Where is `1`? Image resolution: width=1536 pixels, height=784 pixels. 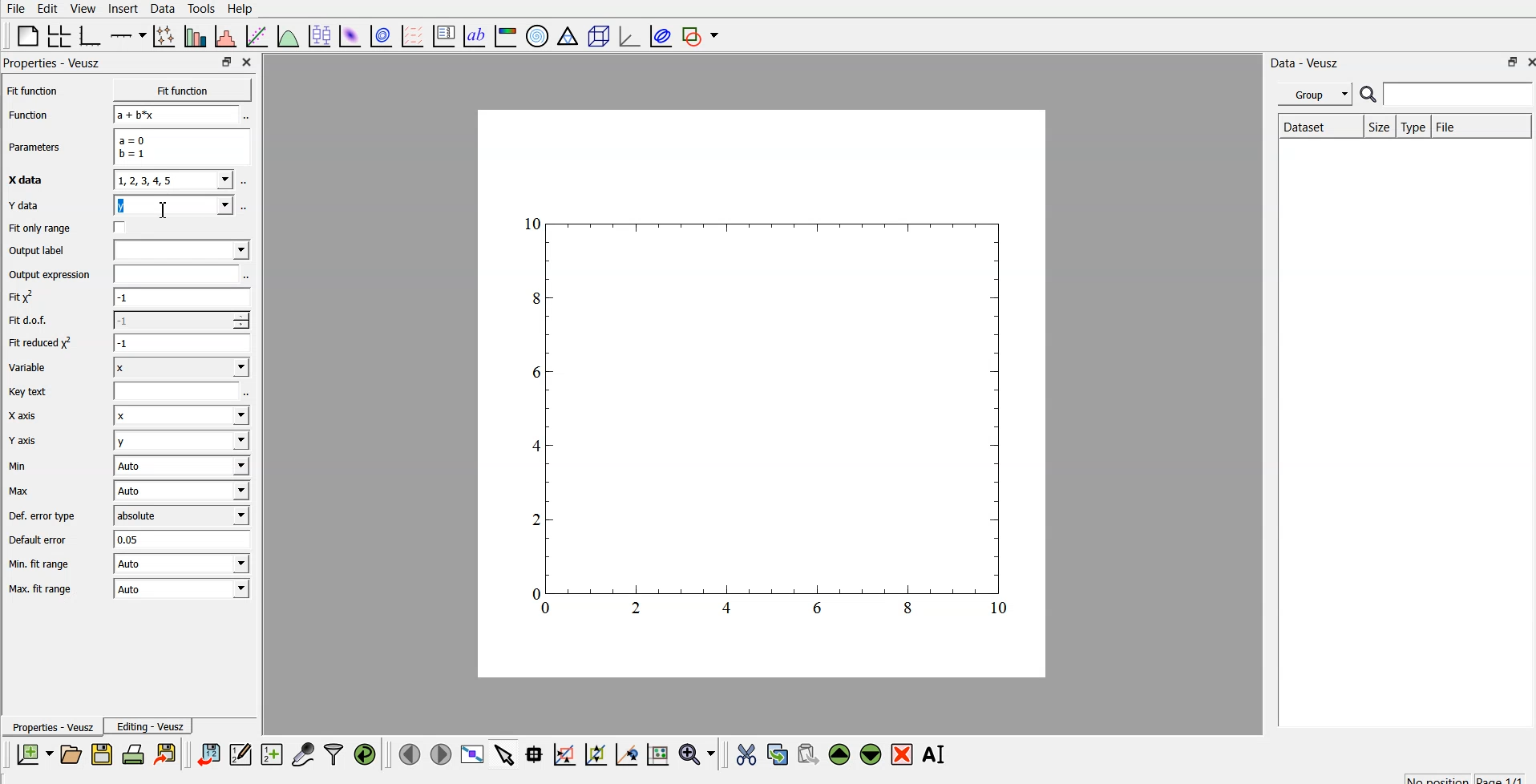 1 is located at coordinates (184, 322).